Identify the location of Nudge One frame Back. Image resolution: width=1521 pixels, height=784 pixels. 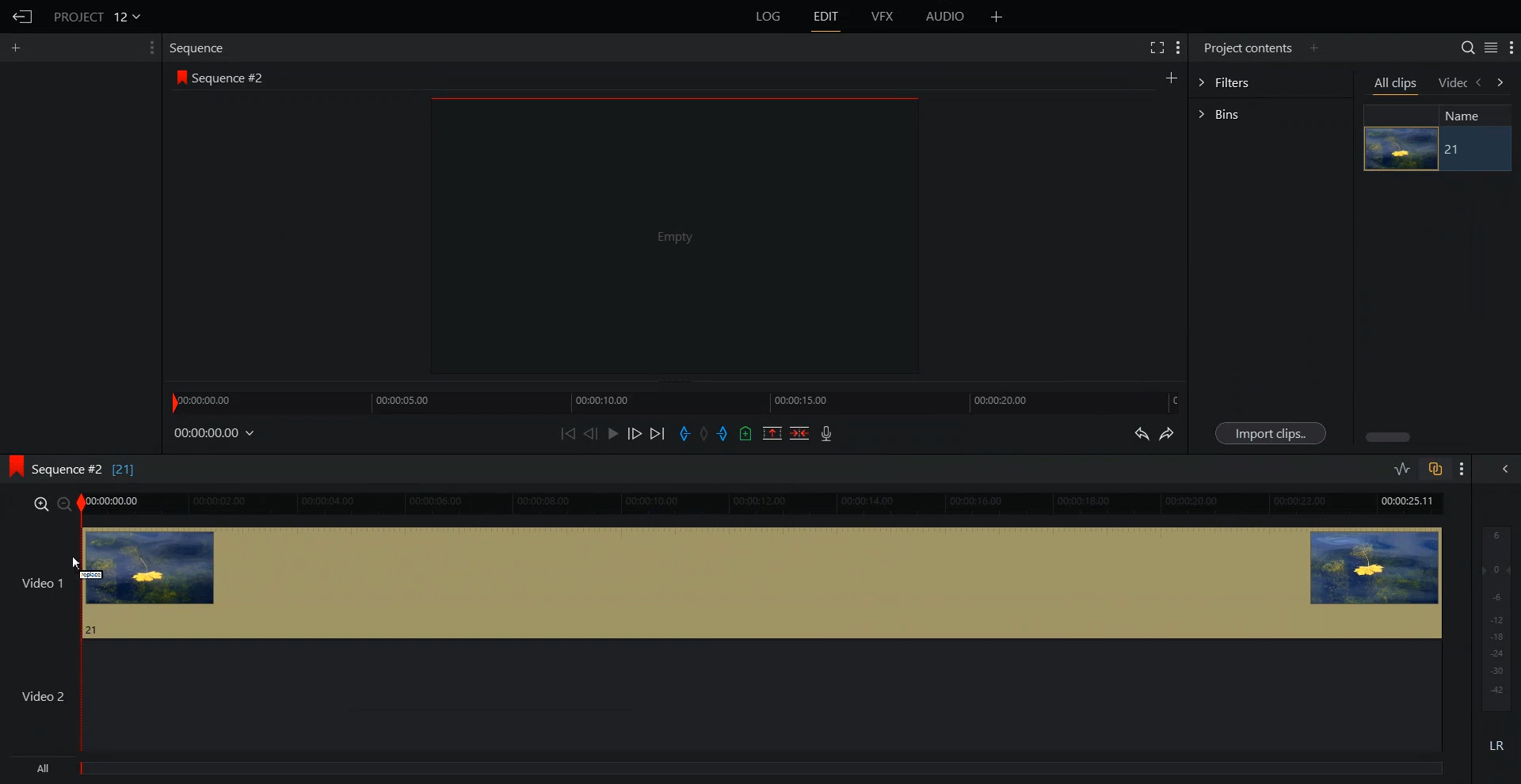
(591, 433).